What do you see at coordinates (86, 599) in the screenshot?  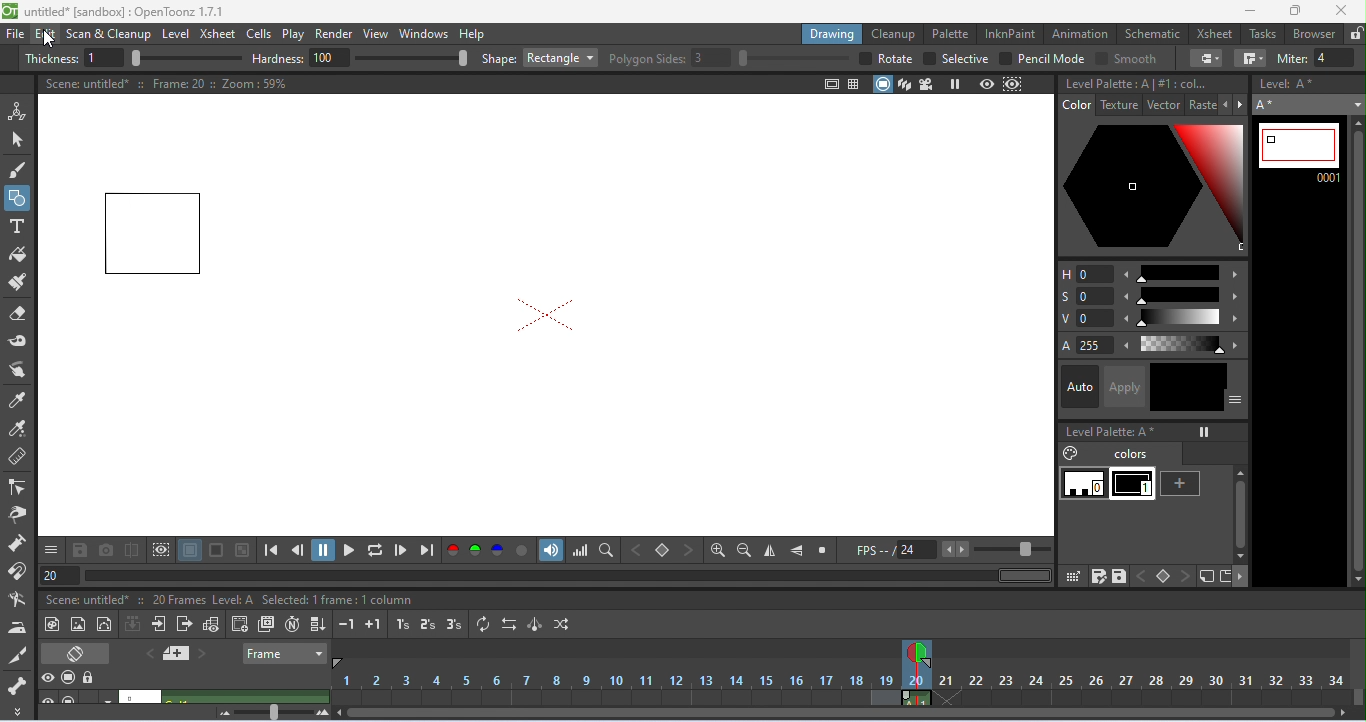 I see `scene untitled` at bounding box center [86, 599].